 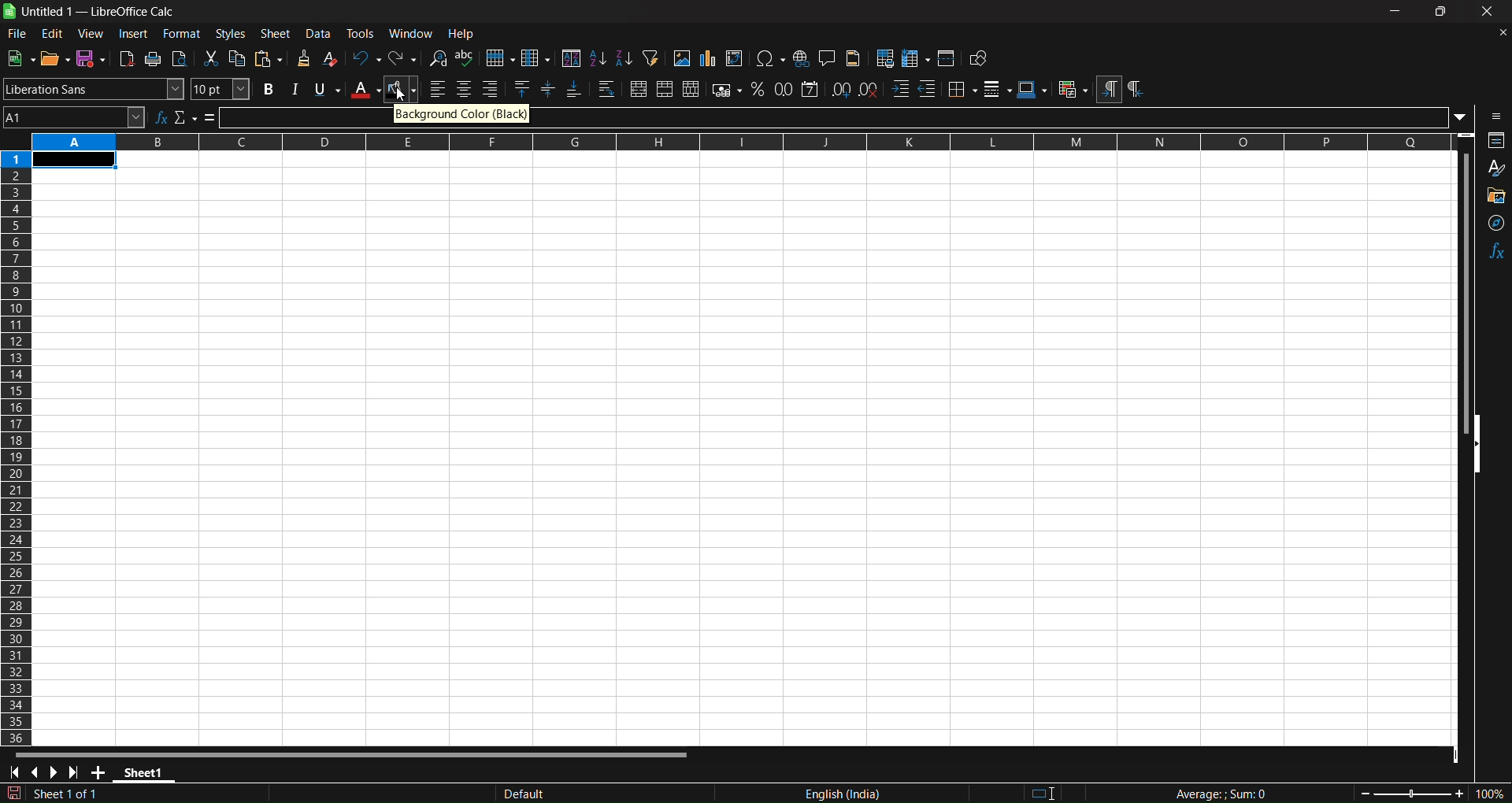 I want to click on Cell 1 background color is changed to black, so click(x=76, y=158).